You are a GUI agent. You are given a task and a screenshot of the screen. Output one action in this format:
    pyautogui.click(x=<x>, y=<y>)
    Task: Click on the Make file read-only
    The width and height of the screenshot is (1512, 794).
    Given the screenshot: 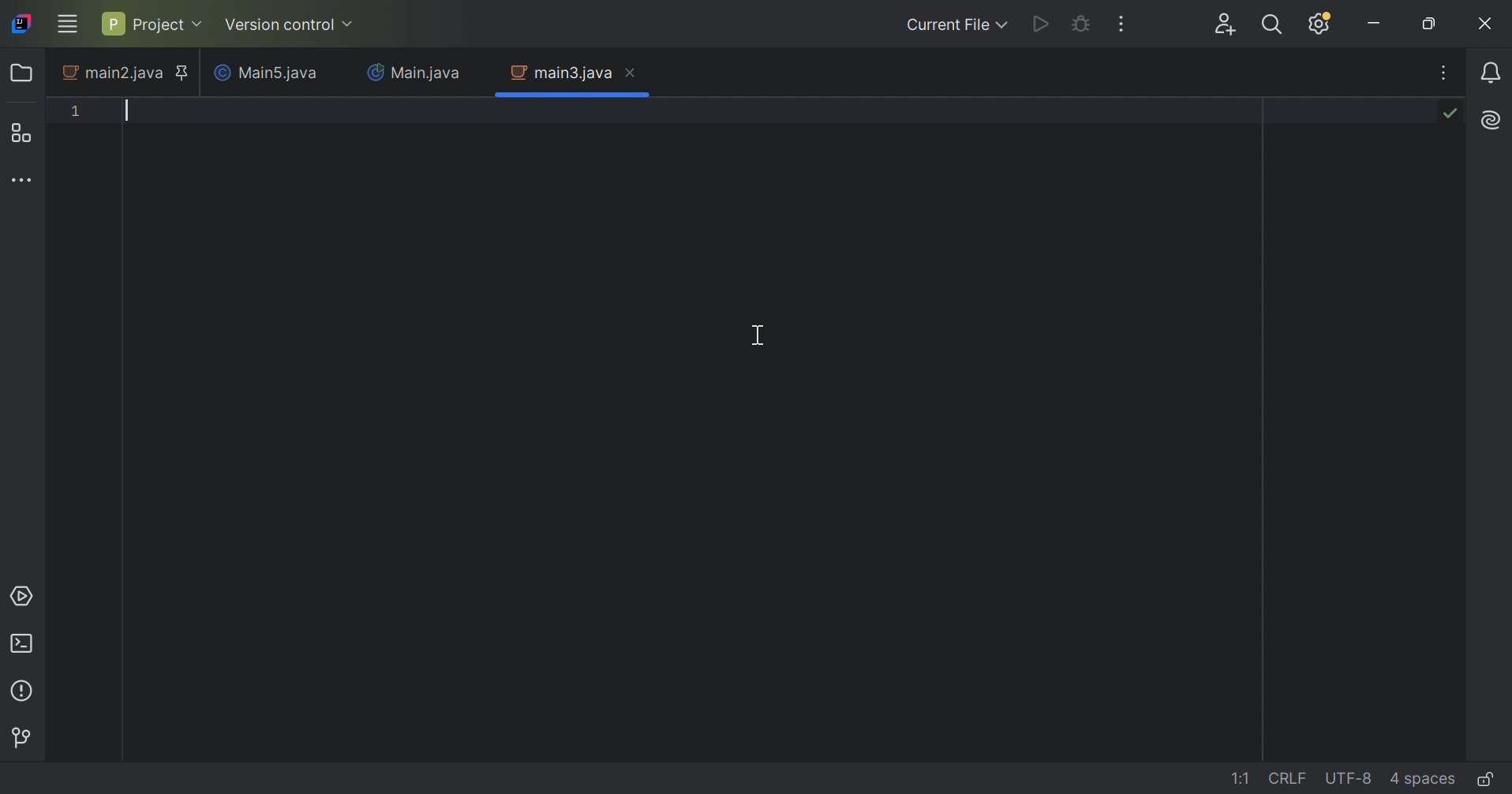 What is the action you would take?
    pyautogui.click(x=1487, y=780)
    